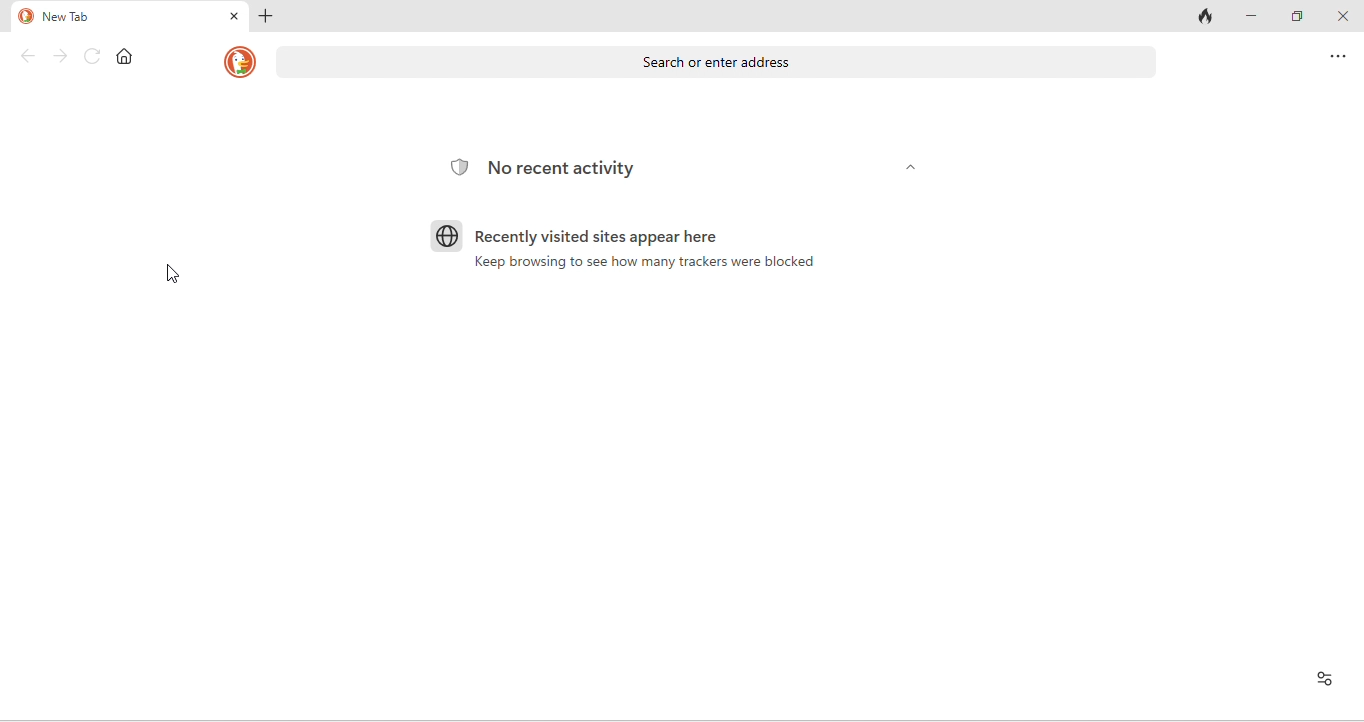  Describe the element at coordinates (28, 55) in the screenshot. I see `back` at that location.